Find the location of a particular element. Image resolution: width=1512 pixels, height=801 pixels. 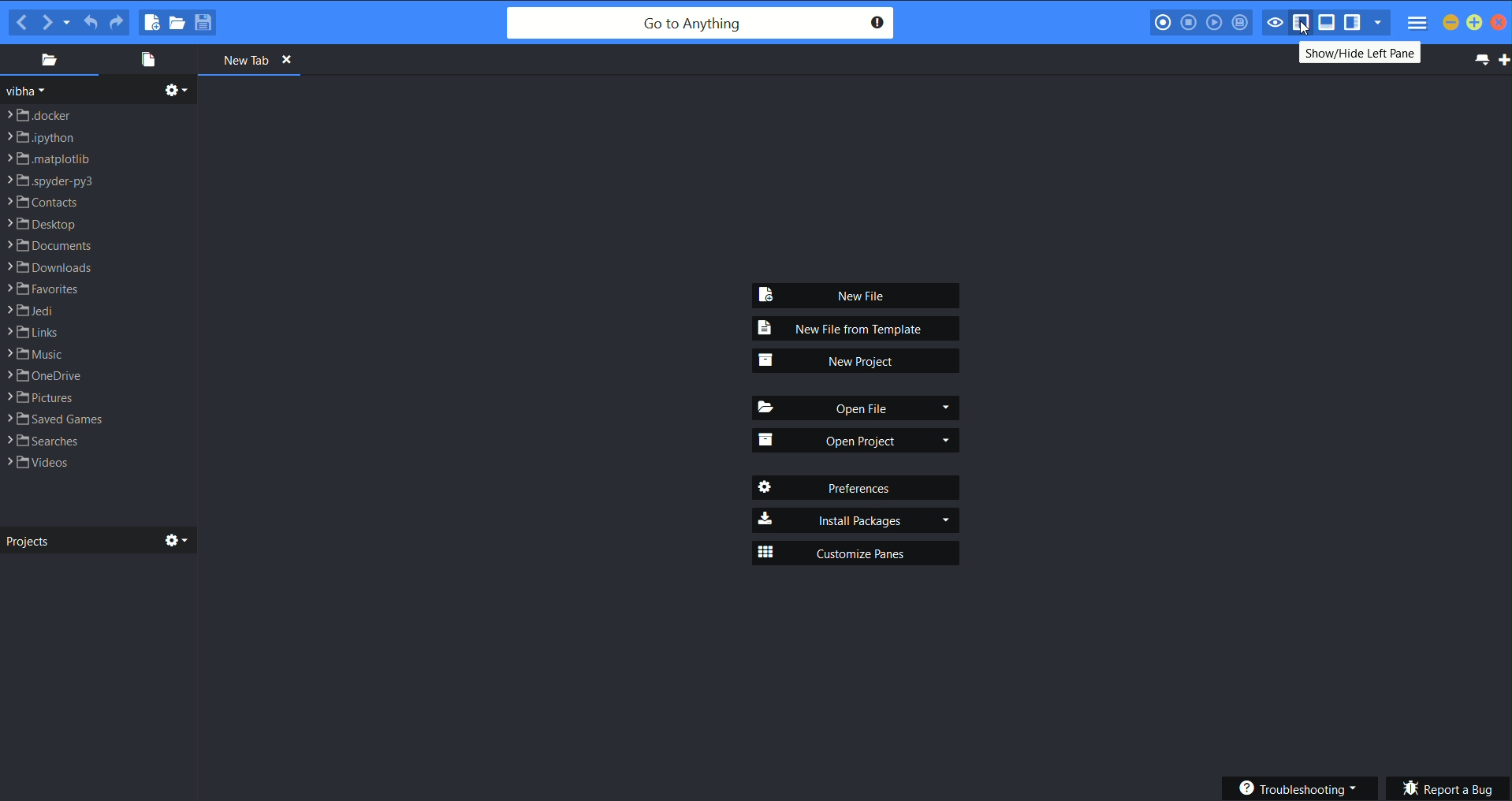

user name is located at coordinates (30, 91).